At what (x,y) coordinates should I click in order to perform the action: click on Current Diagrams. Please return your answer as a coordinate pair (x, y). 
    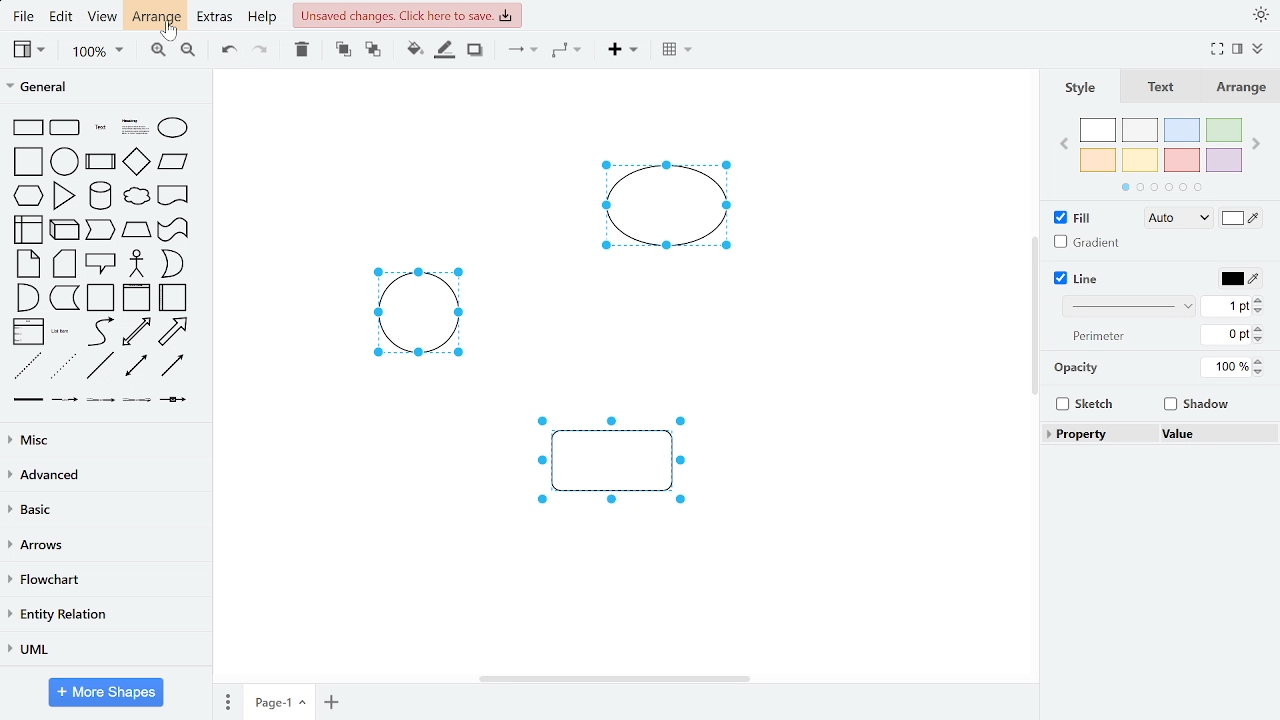
    Looking at the image, I should click on (522, 313).